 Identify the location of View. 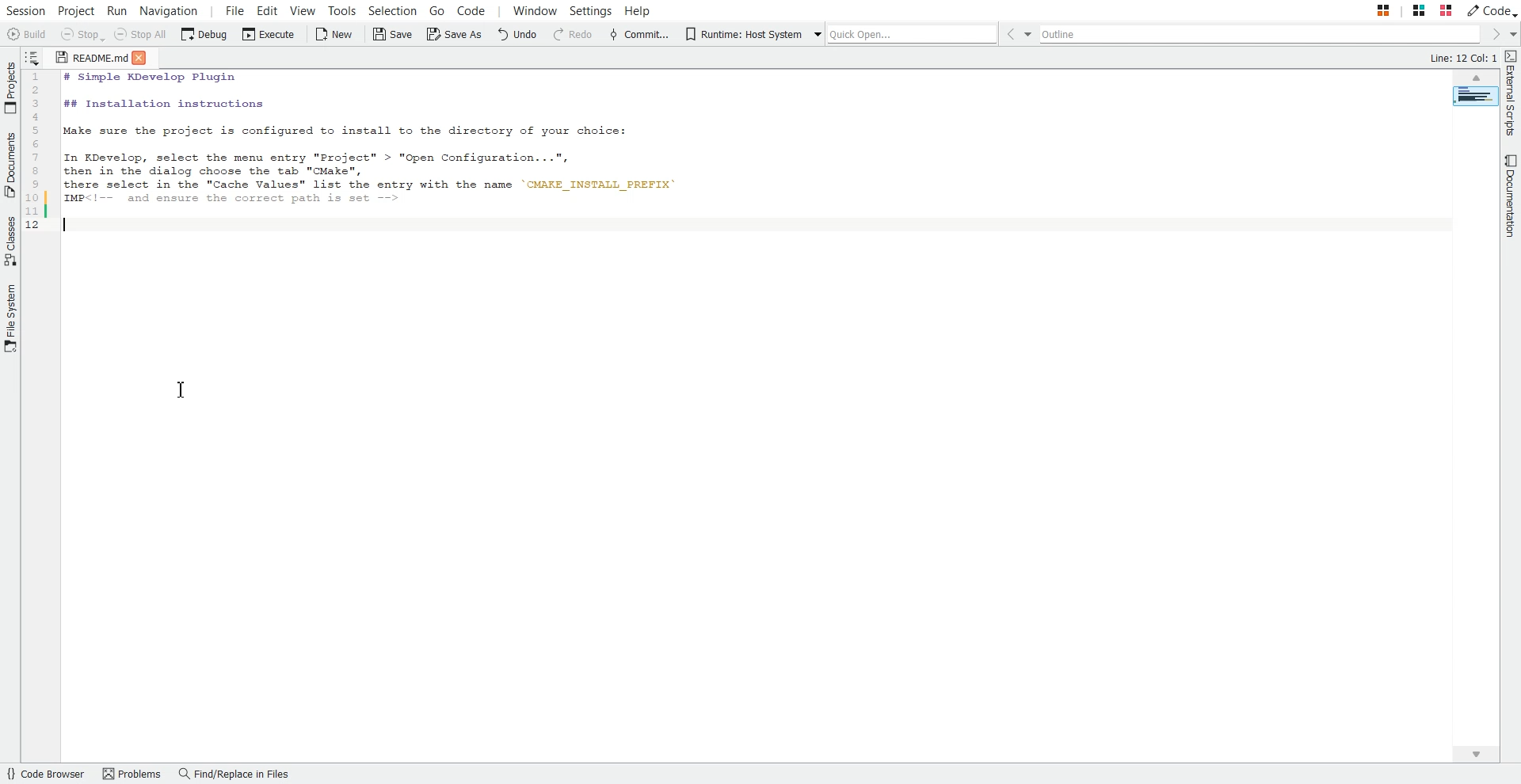
(302, 10).